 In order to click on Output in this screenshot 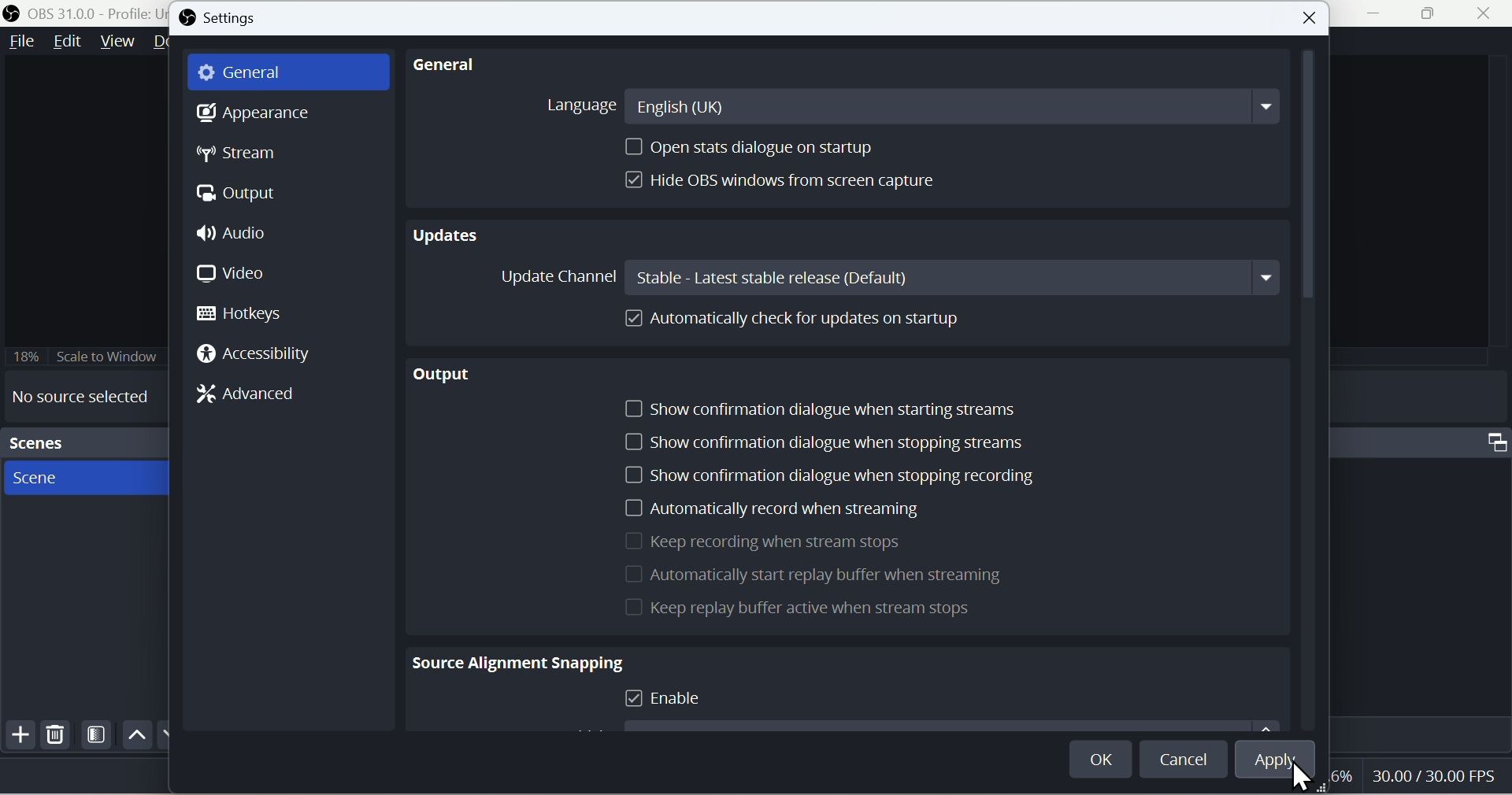, I will do `click(241, 195)`.